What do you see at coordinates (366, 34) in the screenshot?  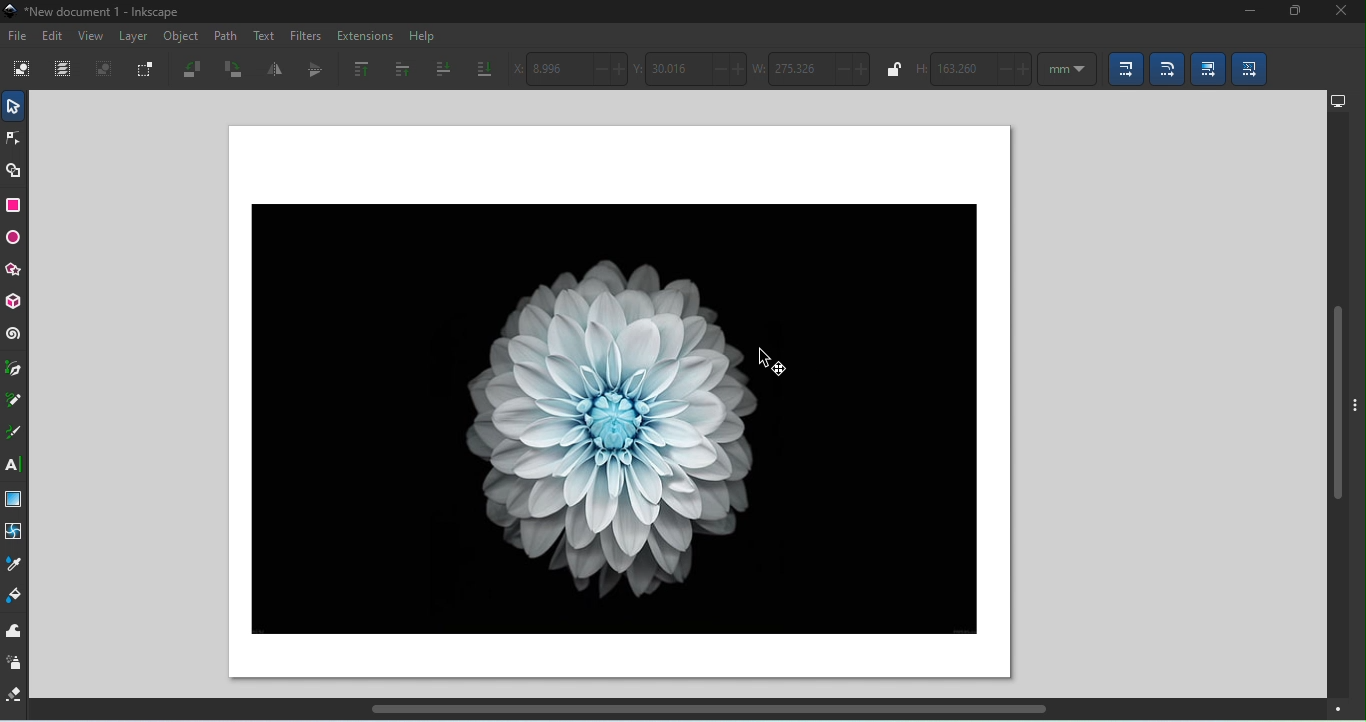 I see `Extensions` at bounding box center [366, 34].